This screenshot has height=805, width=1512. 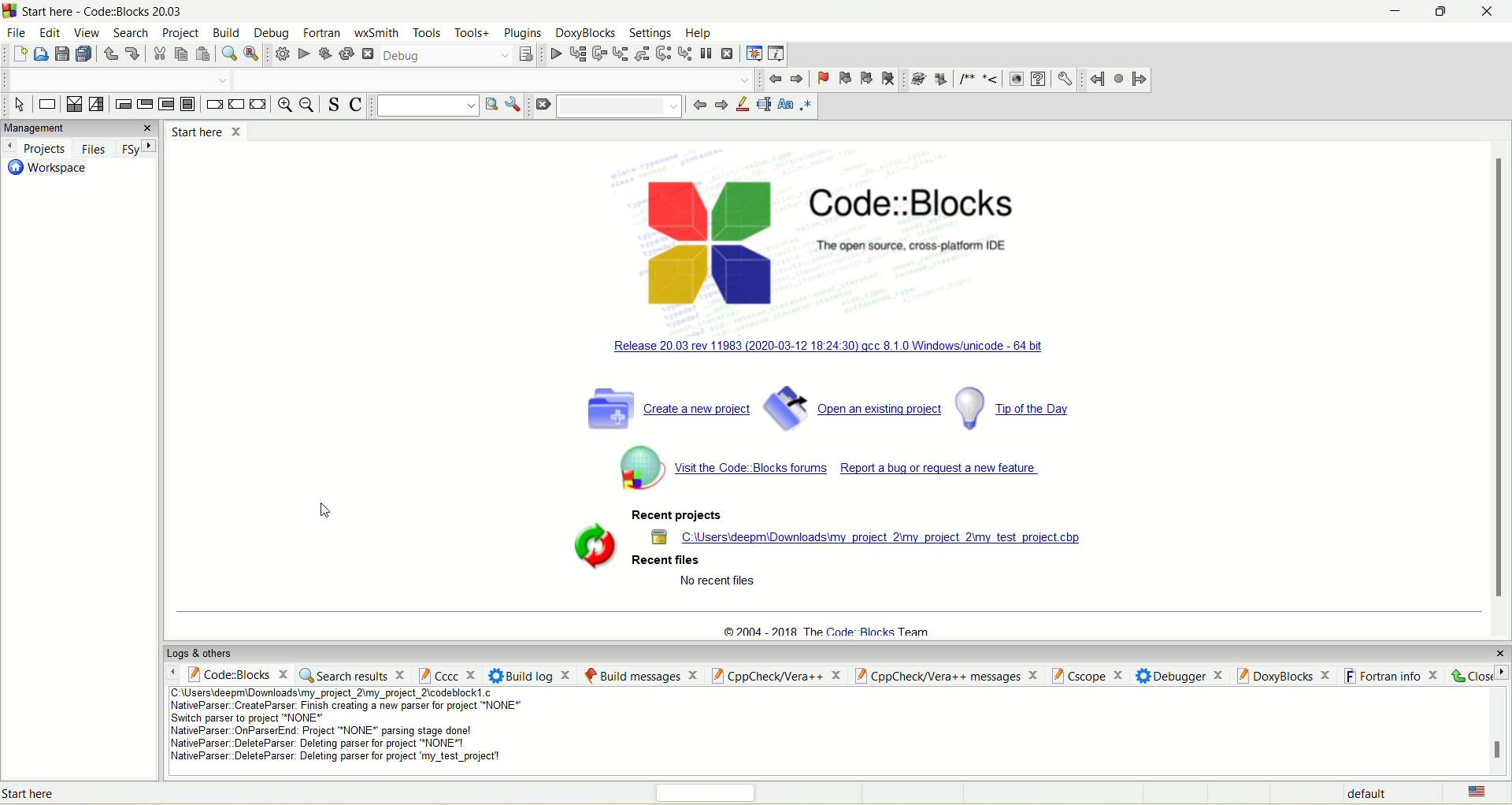 What do you see at coordinates (346, 51) in the screenshot?
I see `rebuild` at bounding box center [346, 51].